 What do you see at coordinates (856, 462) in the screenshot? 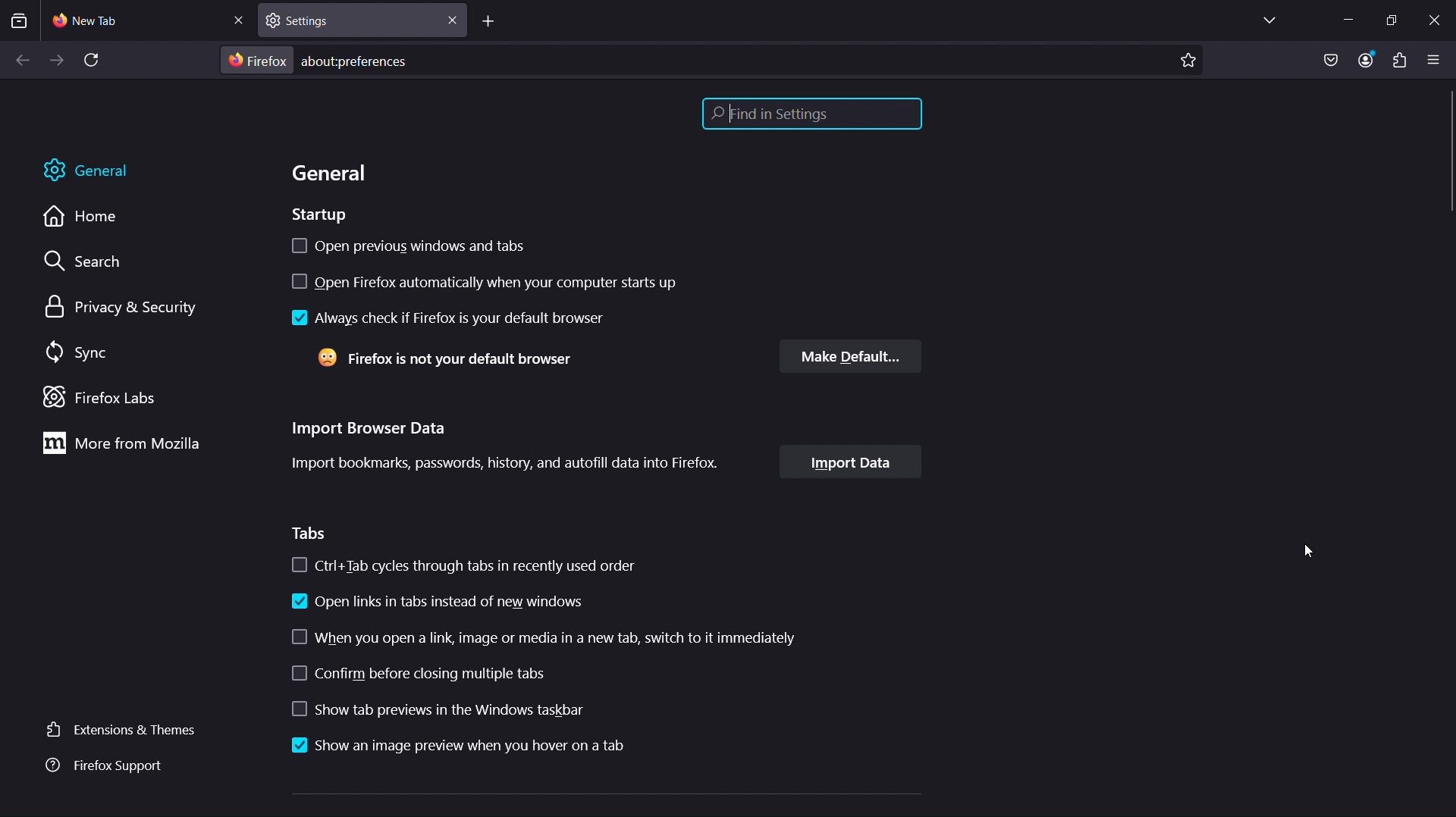
I see `Import Data` at bounding box center [856, 462].